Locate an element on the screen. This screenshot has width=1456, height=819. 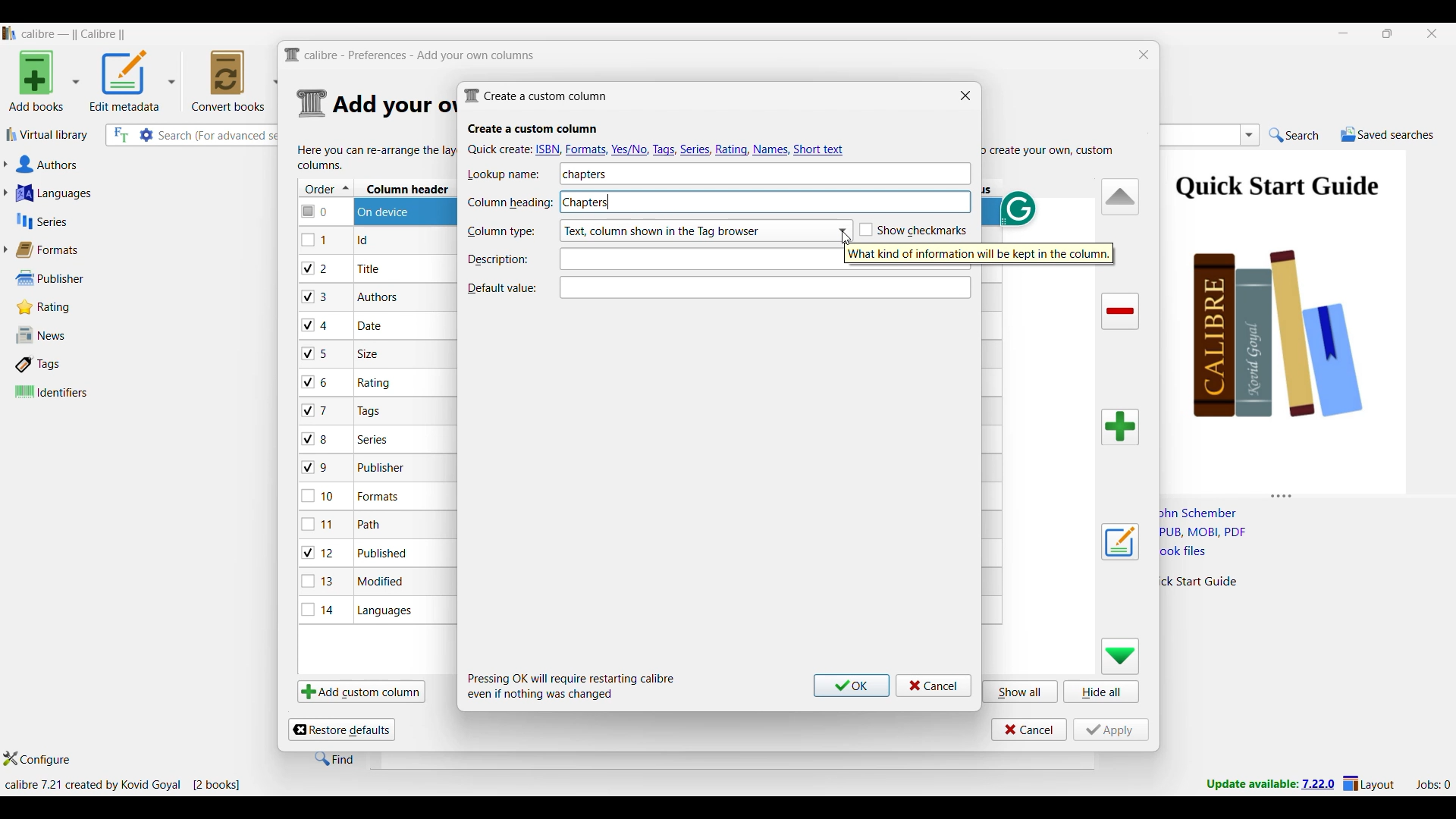
Languages is located at coordinates (115, 193).